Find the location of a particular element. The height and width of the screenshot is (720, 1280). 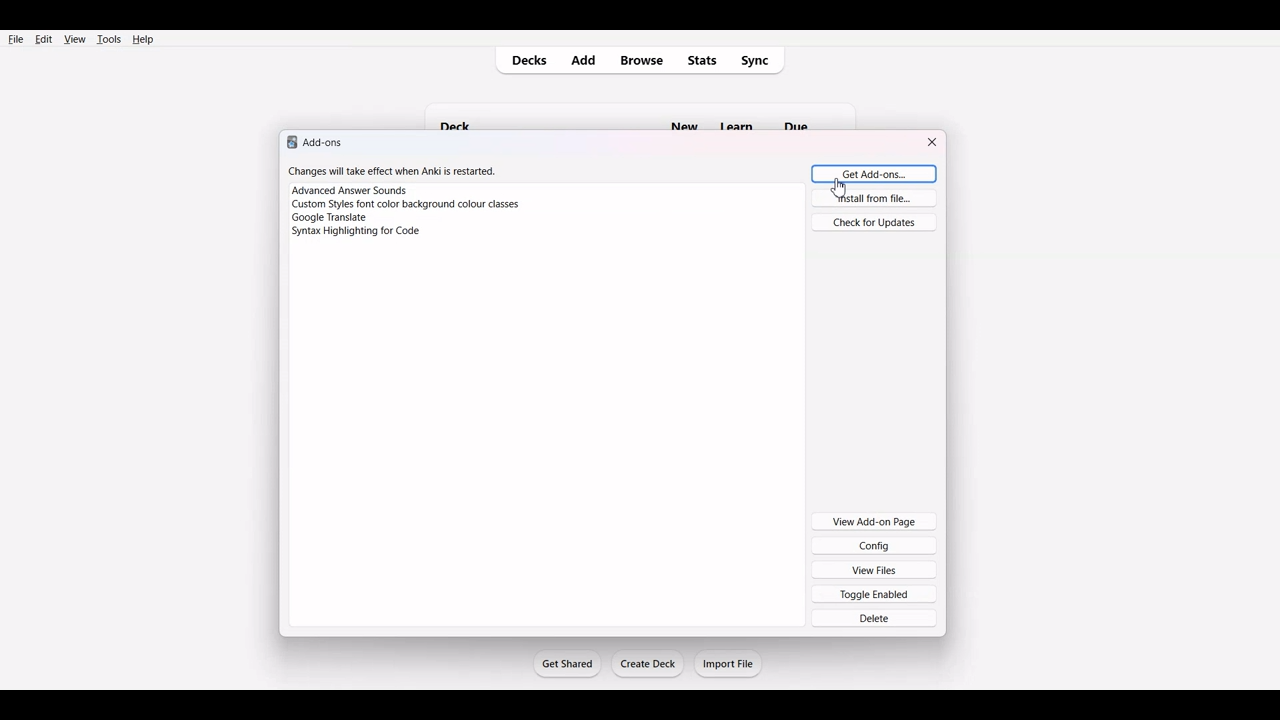

Get Started is located at coordinates (566, 663).